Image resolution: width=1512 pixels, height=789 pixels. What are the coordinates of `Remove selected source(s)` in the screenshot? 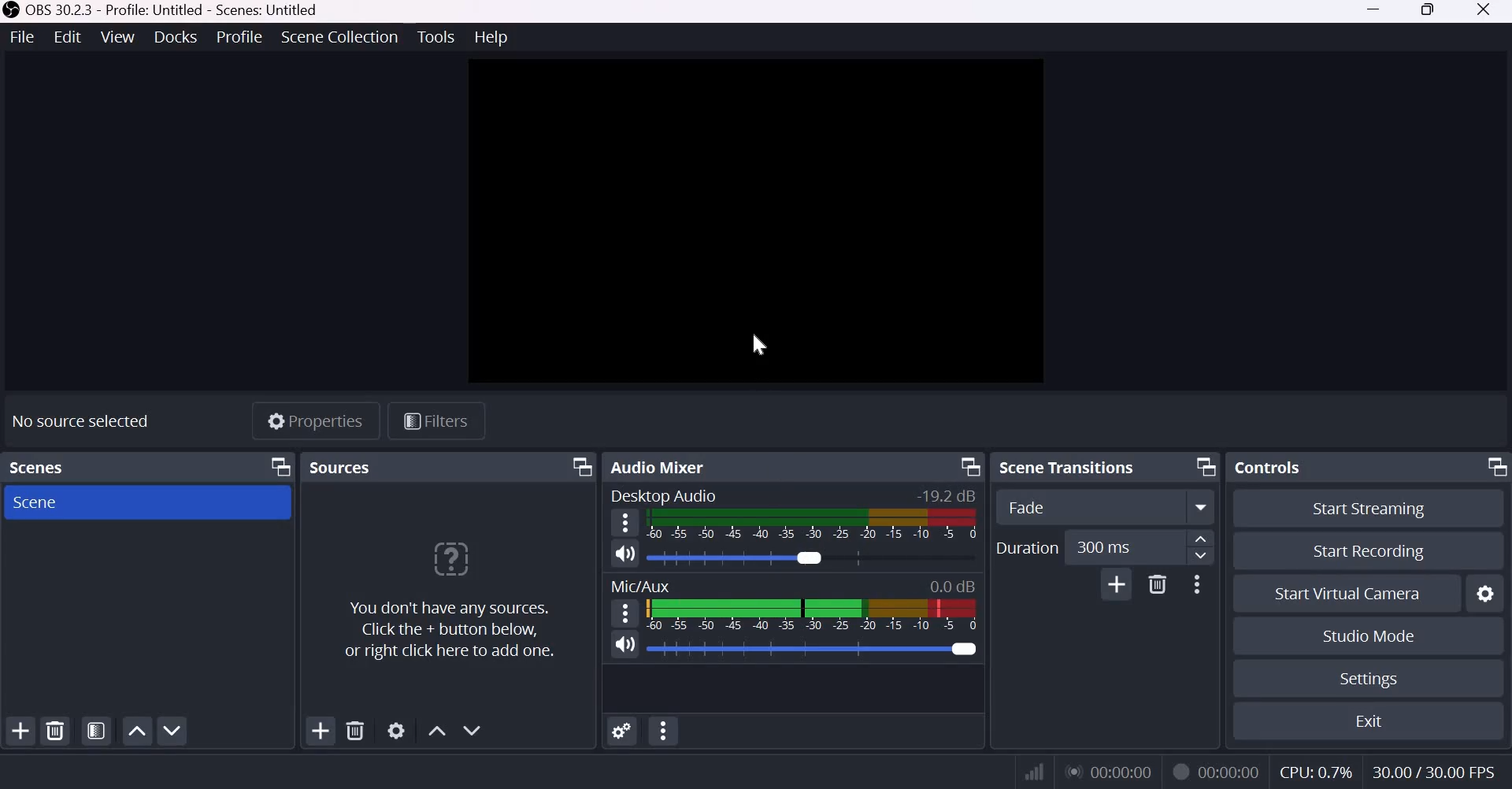 It's located at (357, 731).